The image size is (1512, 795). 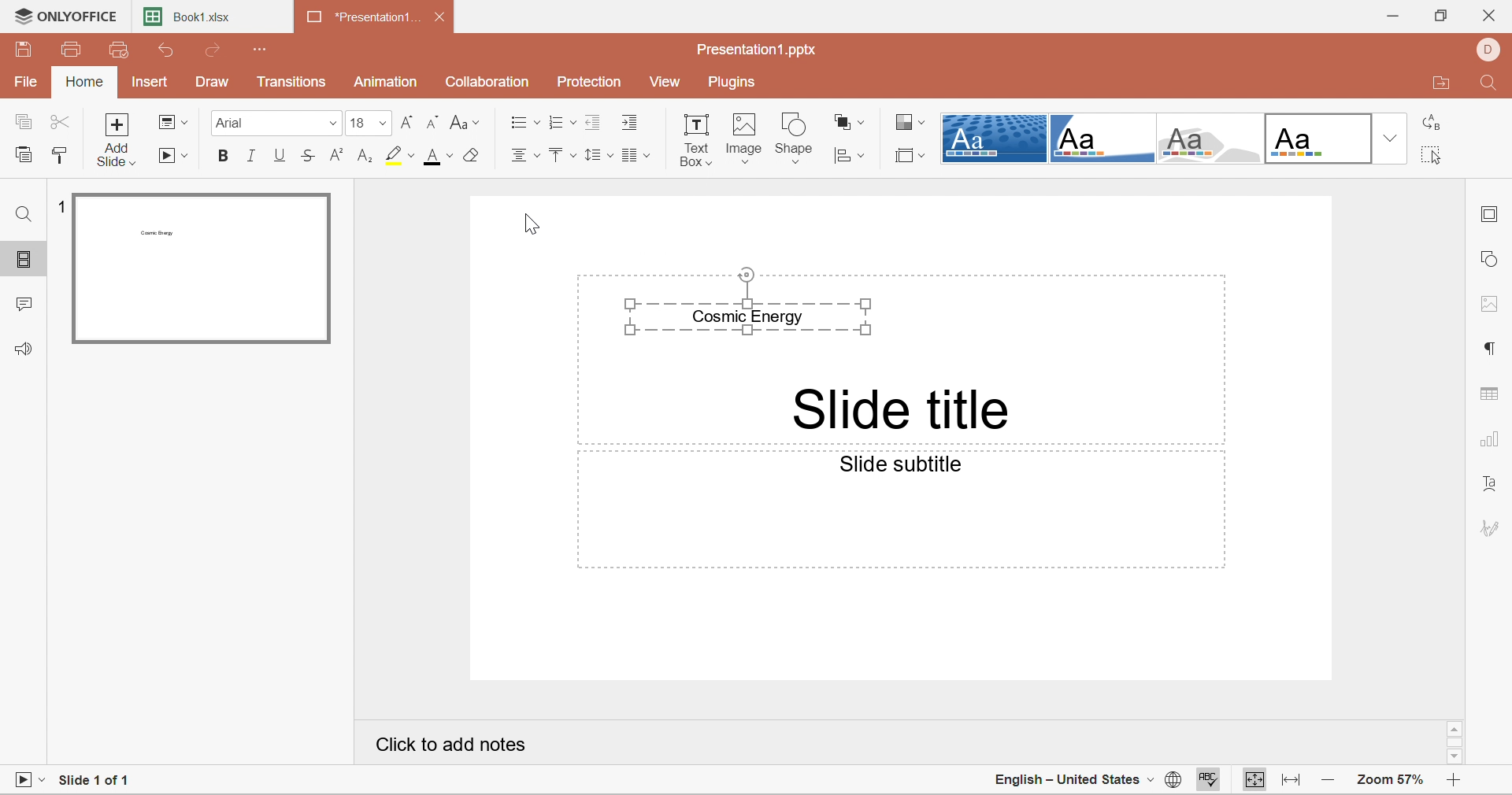 I want to click on Transitions, so click(x=291, y=82).